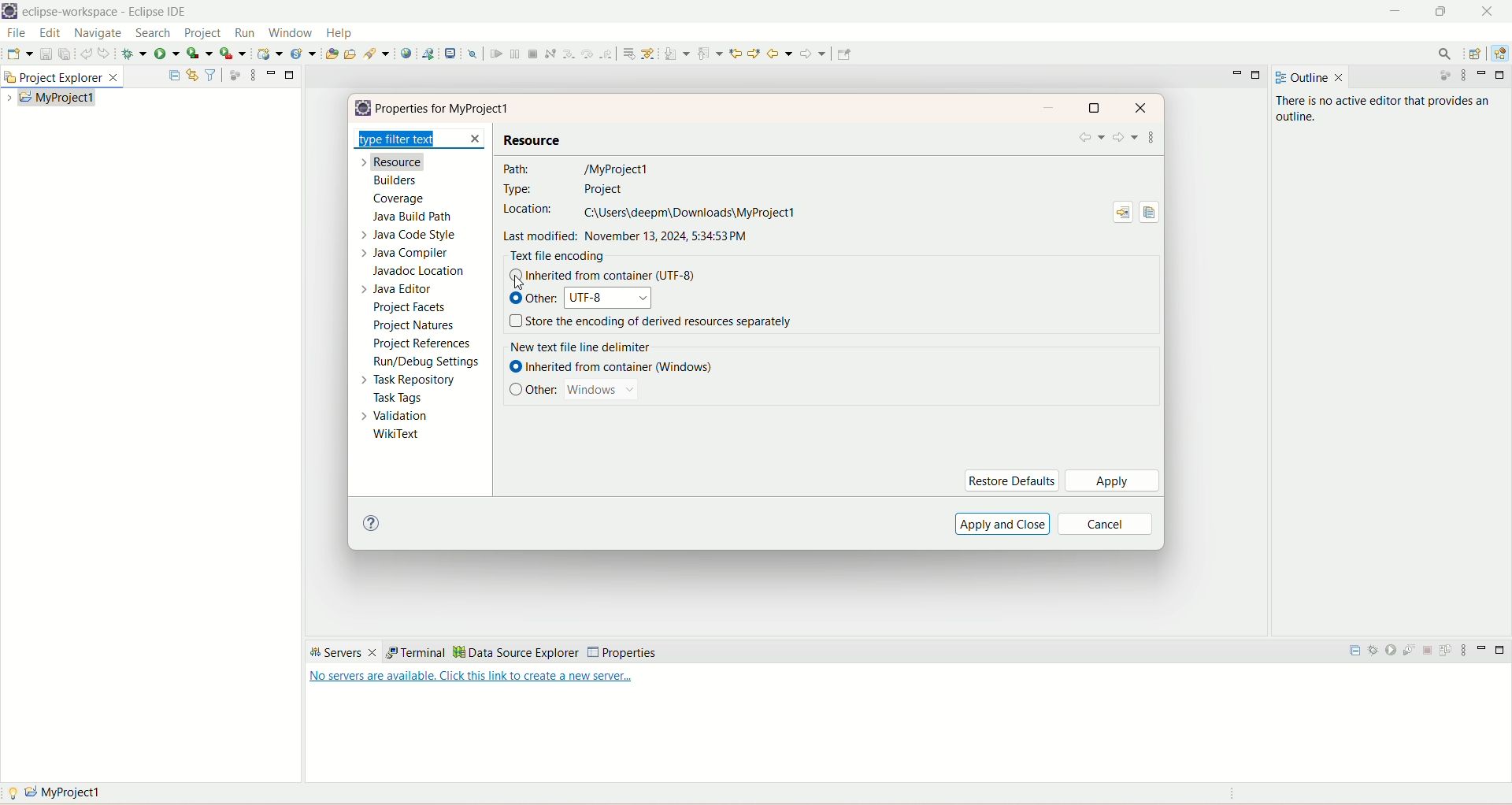 The width and height of the screenshot is (1512, 805). Describe the element at coordinates (1503, 76) in the screenshot. I see `maximize` at that location.